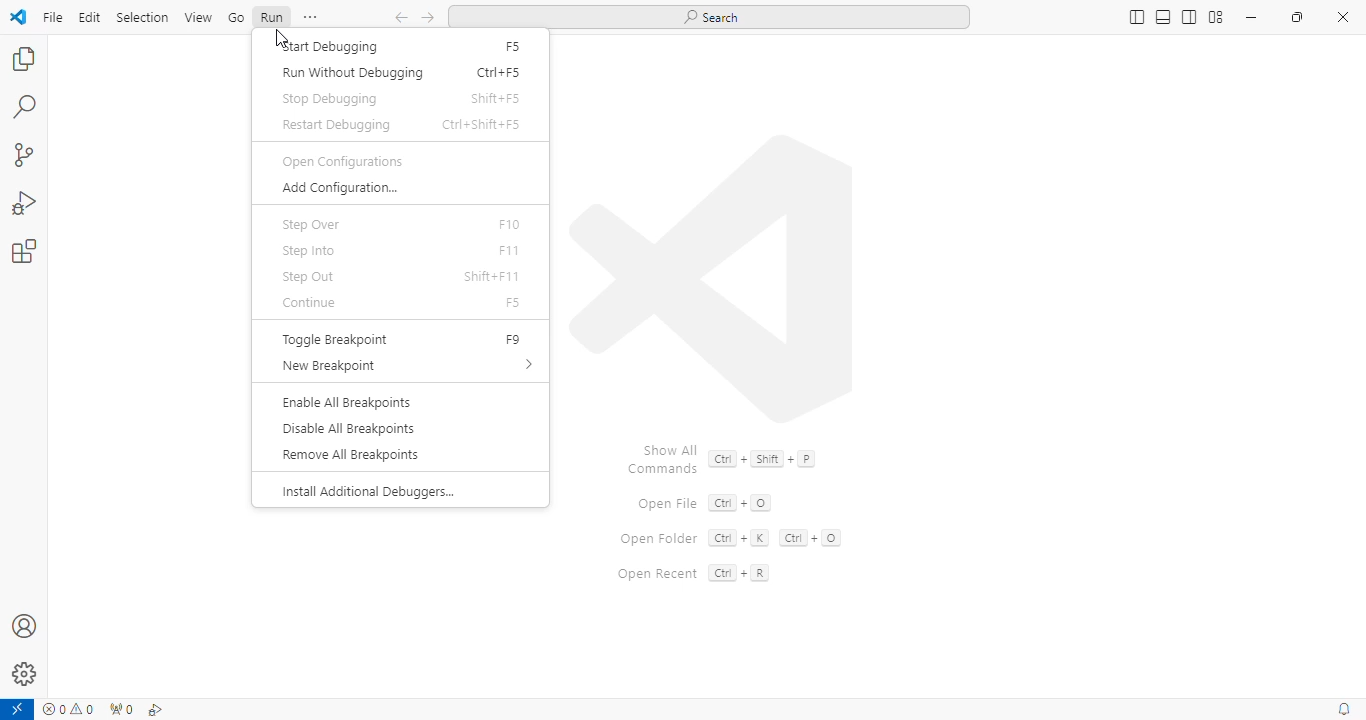  Describe the element at coordinates (307, 277) in the screenshot. I see `step out` at that location.